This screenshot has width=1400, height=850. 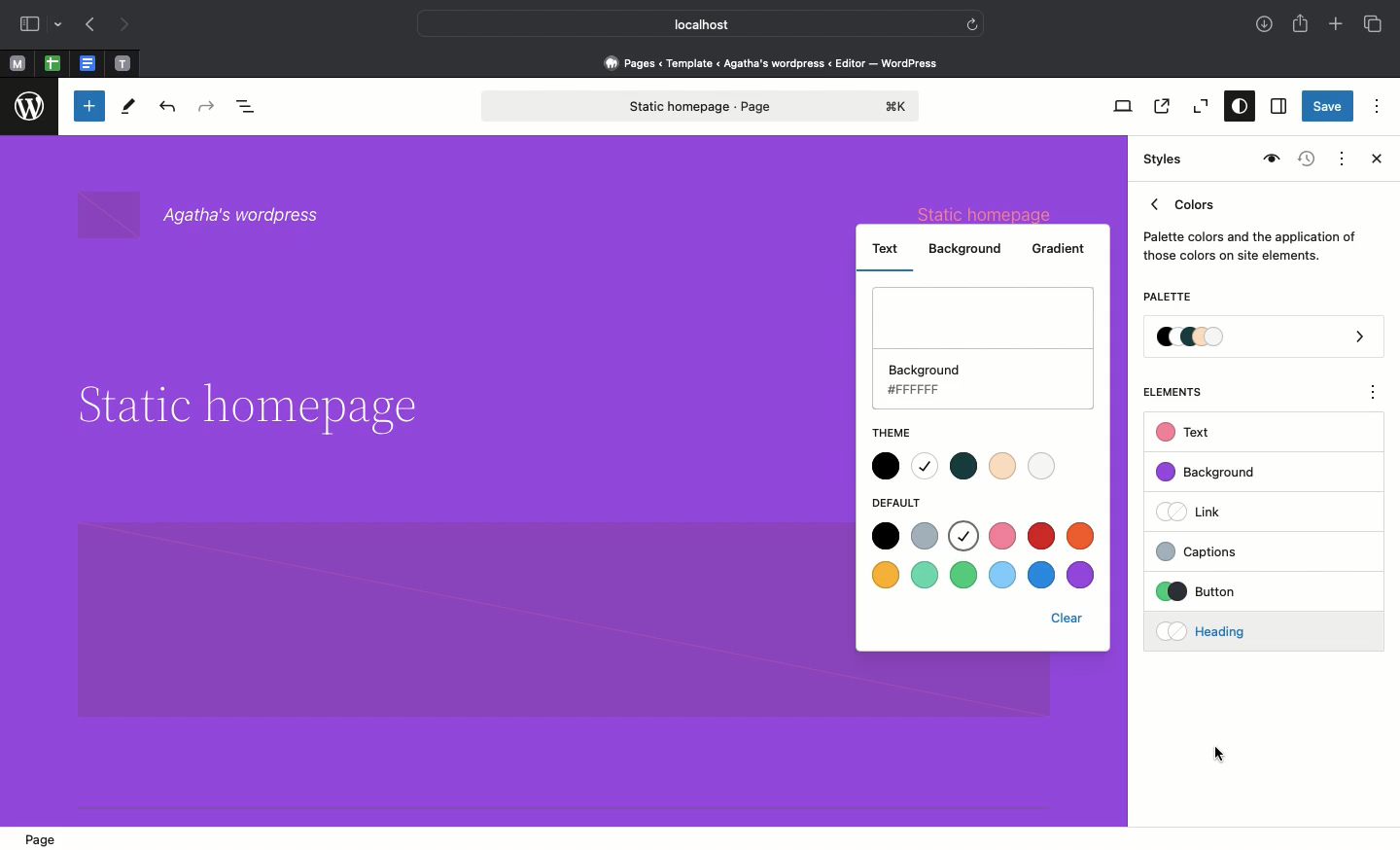 I want to click on Color change, so click(x=632, y=432).